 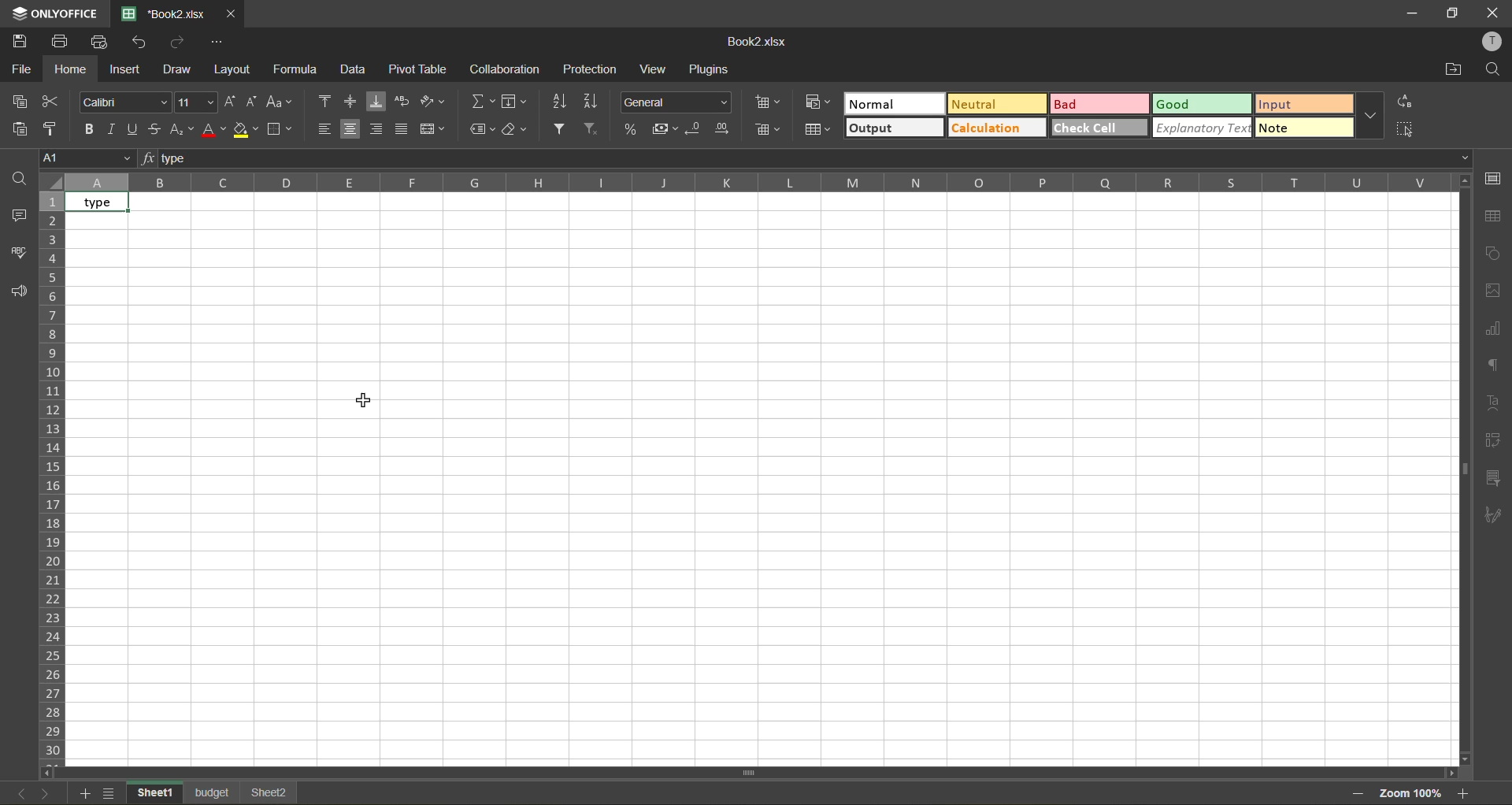 What do you see at coordinates (215, 132) in the screenshot?
I see `font color` at bounding box center [215, 132].